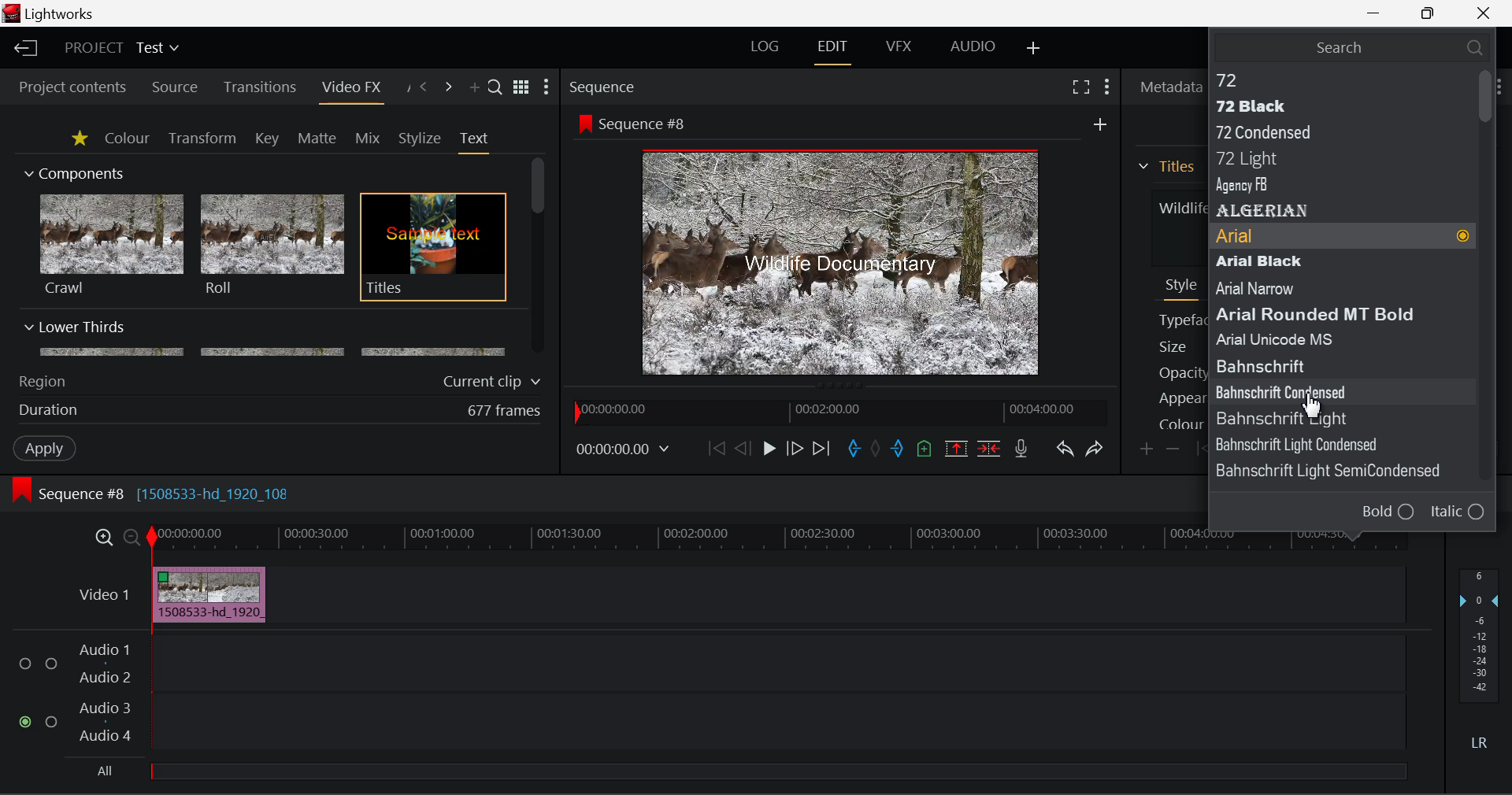 Image resolution: width=1512 pixels, height=795 pixels. Describe the element at coordinates (1295, 364) in the screenshot. I see `Bahnschrift` at that location.